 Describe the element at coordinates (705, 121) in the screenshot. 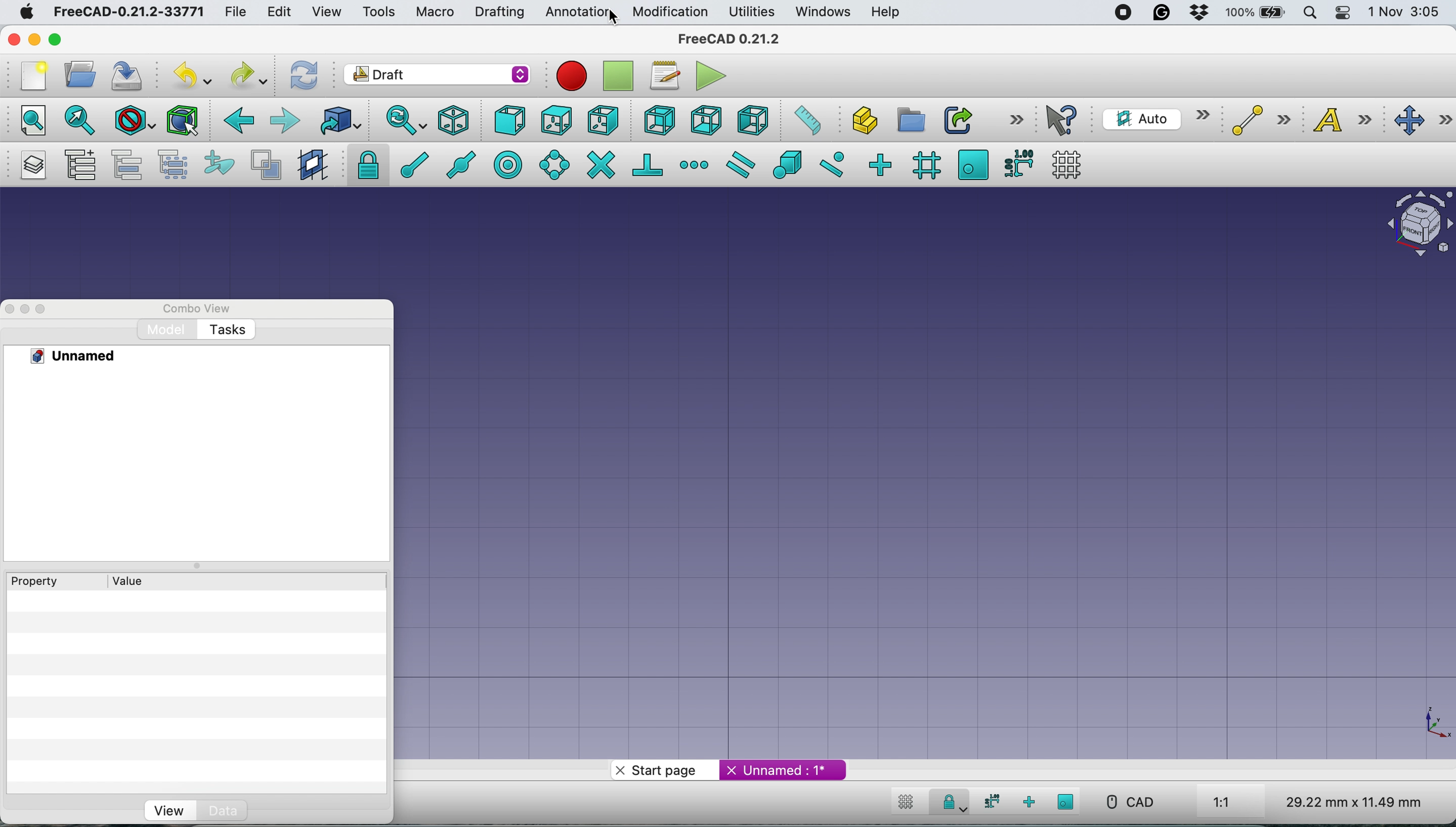

I see `bottom` at that location.